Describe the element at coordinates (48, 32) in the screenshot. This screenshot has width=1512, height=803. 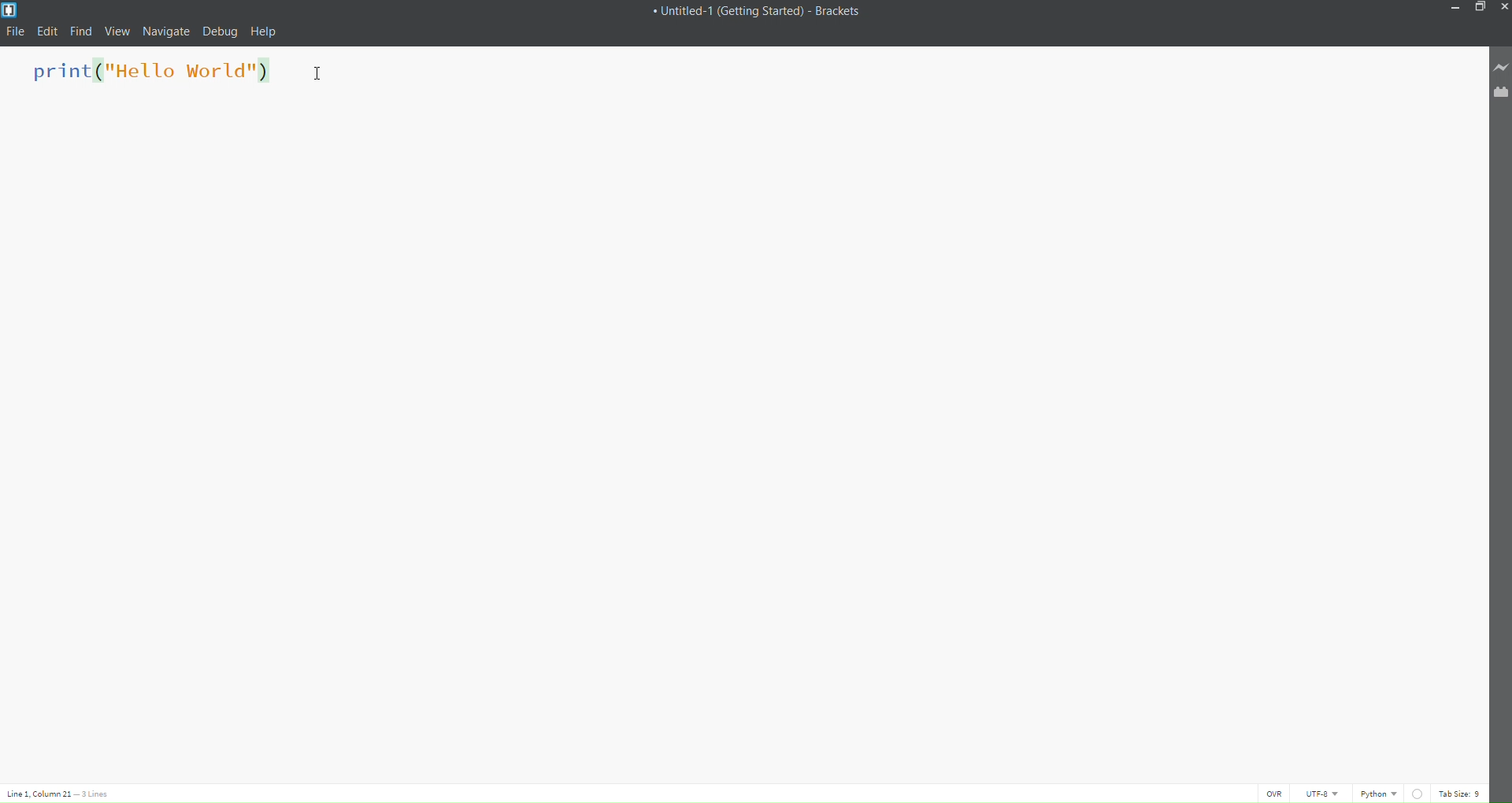
I see `edit` at that location.